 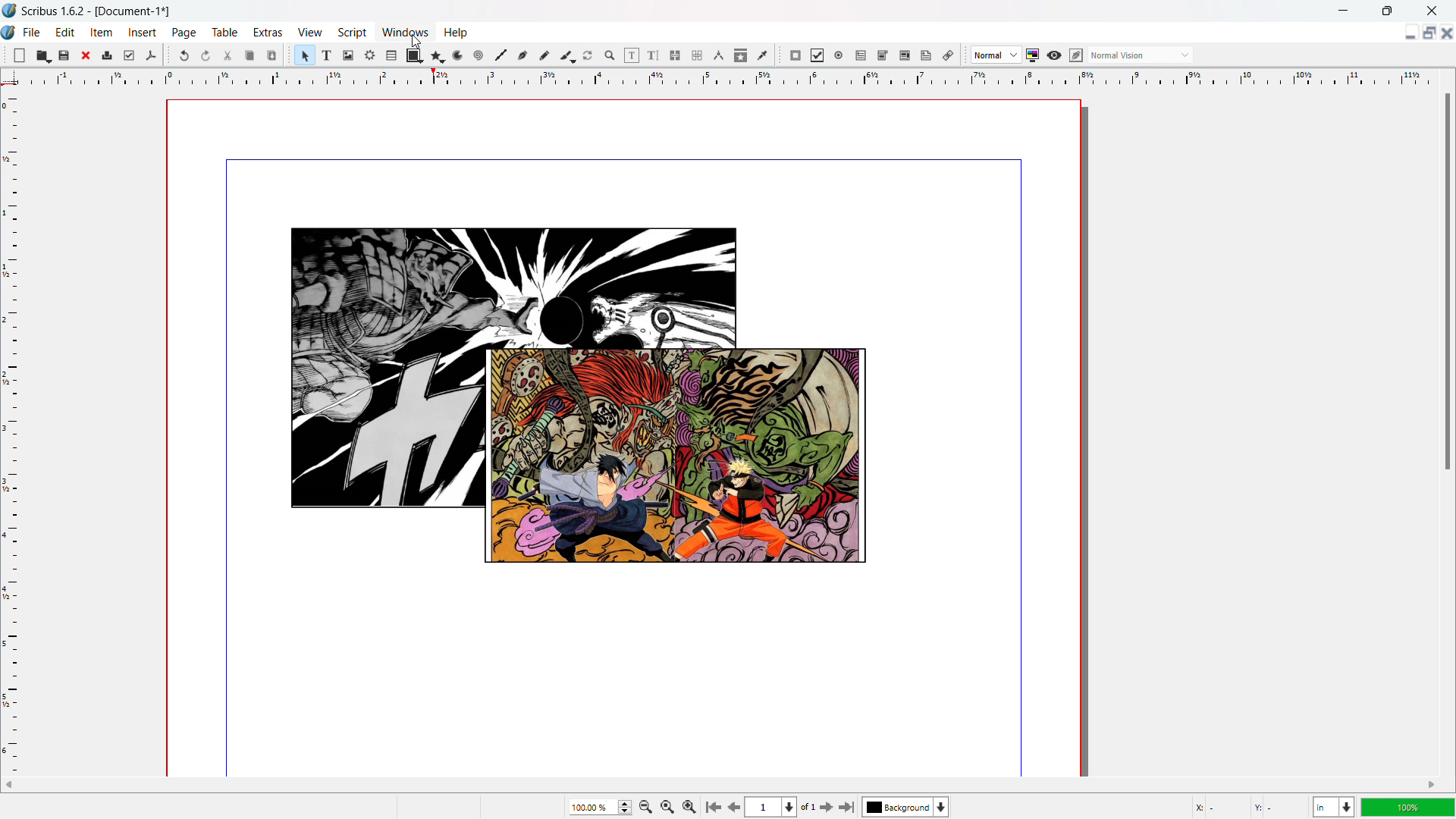 I want to click on render frame, so click(x=370, y=55).